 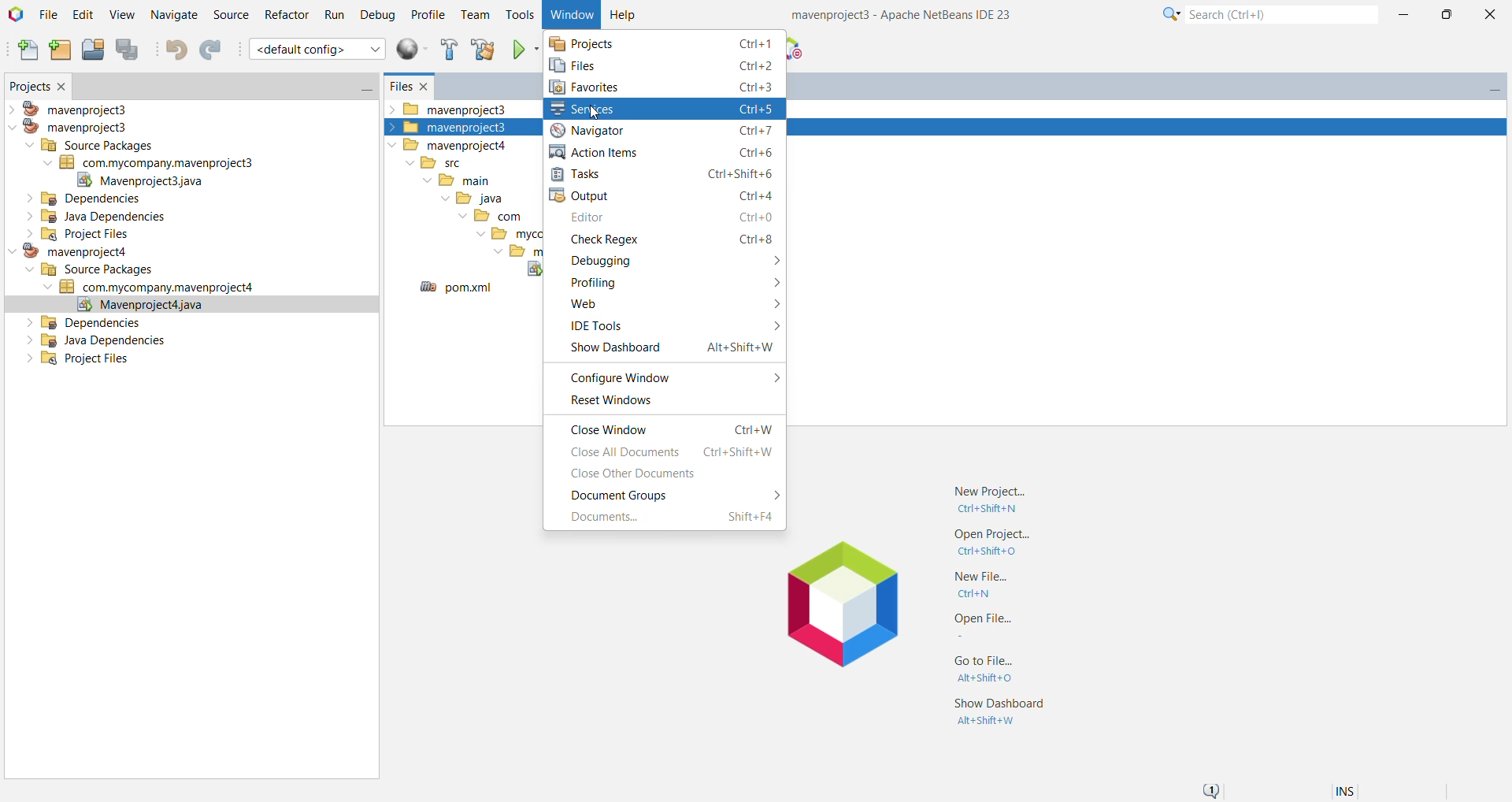 What do you see at coordinates (569, 14) in the screenshot?
I see `Window` at bounding box center [569, 14].